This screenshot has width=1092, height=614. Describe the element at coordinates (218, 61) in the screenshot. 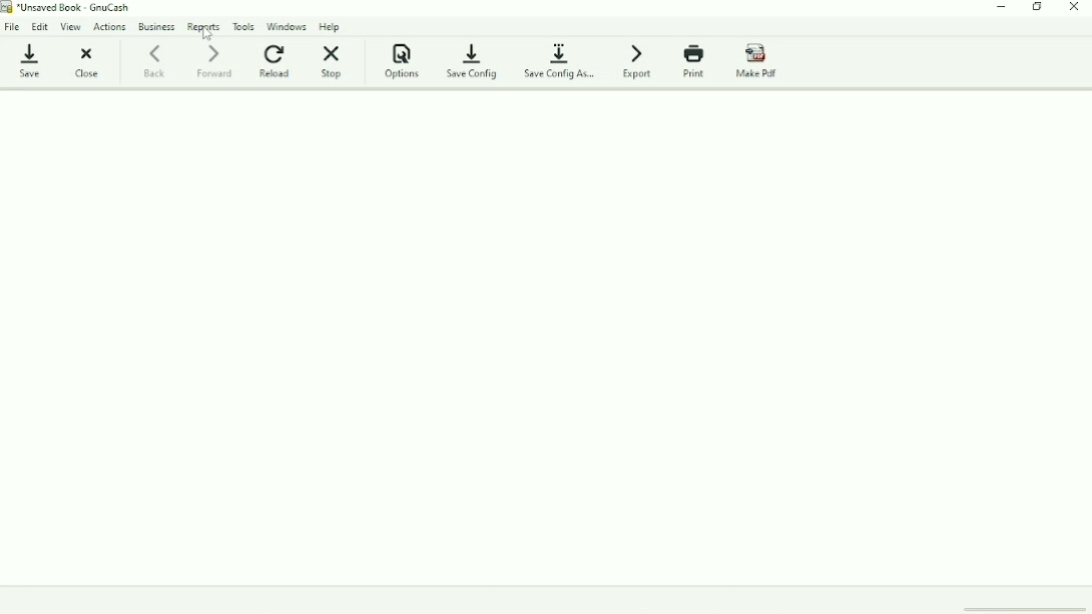

I see `Forward` at that location.